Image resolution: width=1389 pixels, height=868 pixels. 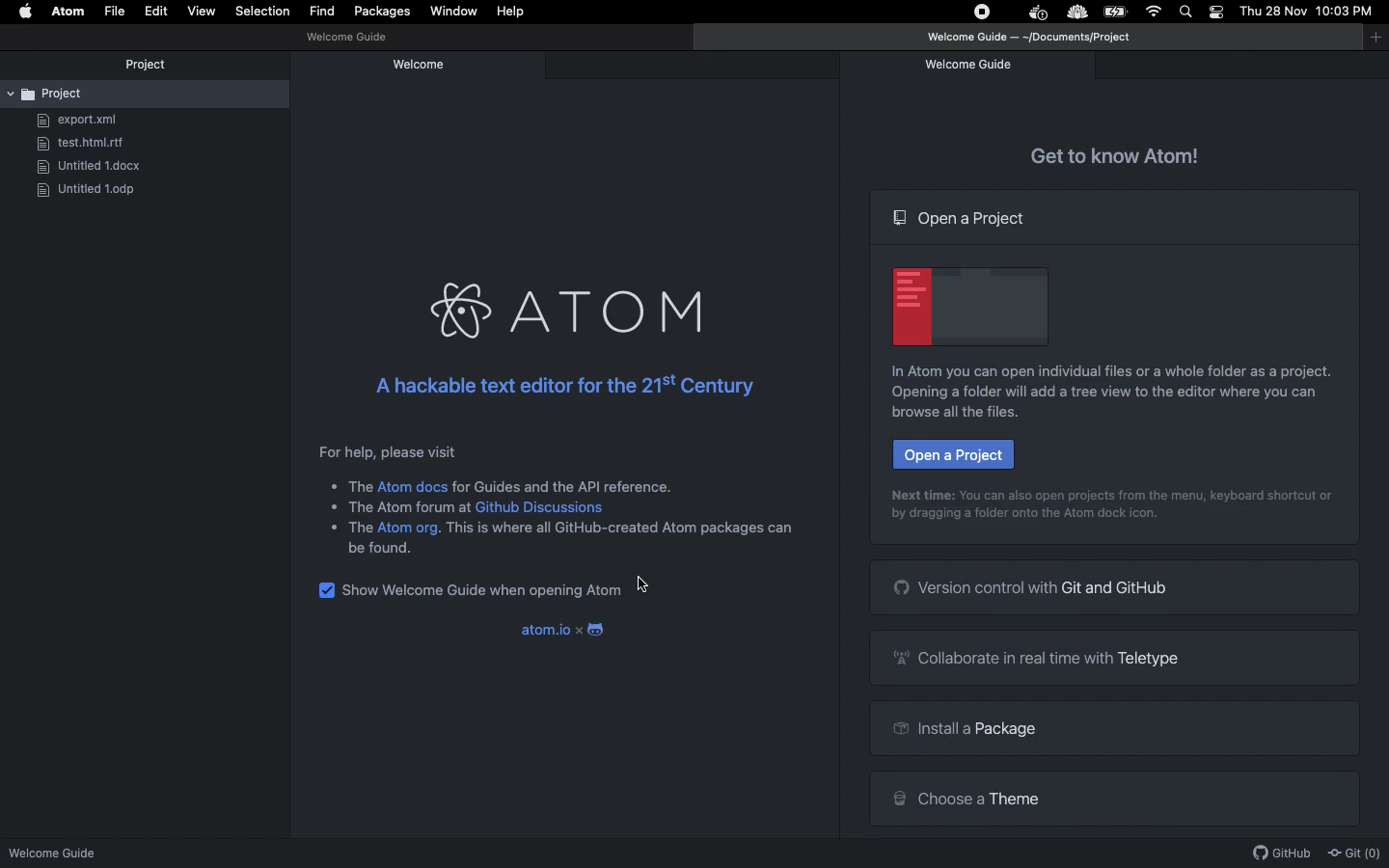 What do you see at coordinates (328, 505) in the screenshot?
I see `Bullet points` at bounding box center [328, 505].